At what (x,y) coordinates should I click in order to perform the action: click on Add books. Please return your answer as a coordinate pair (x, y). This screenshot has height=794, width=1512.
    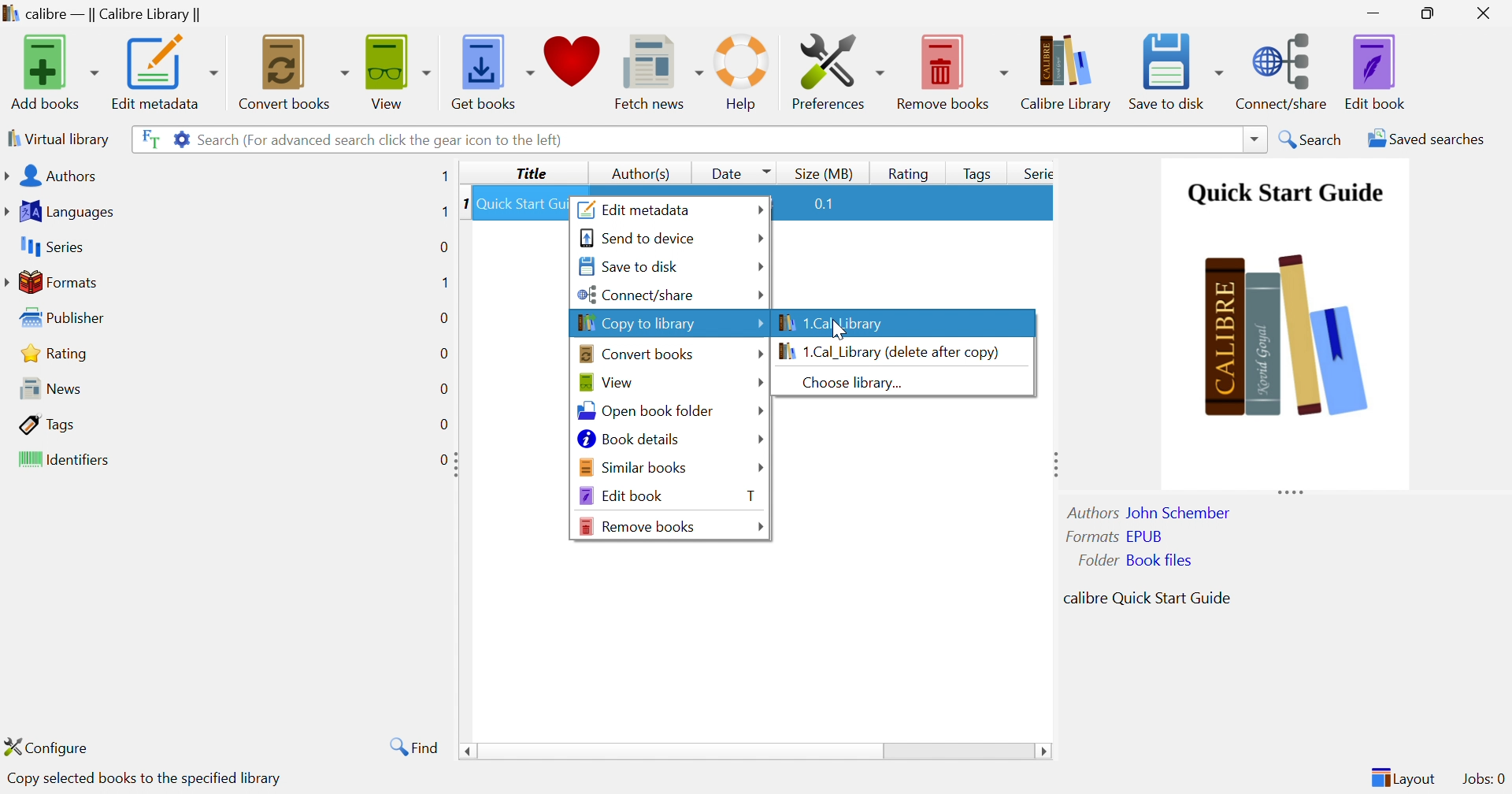
    Looking at the image, I should click on (54, 70).